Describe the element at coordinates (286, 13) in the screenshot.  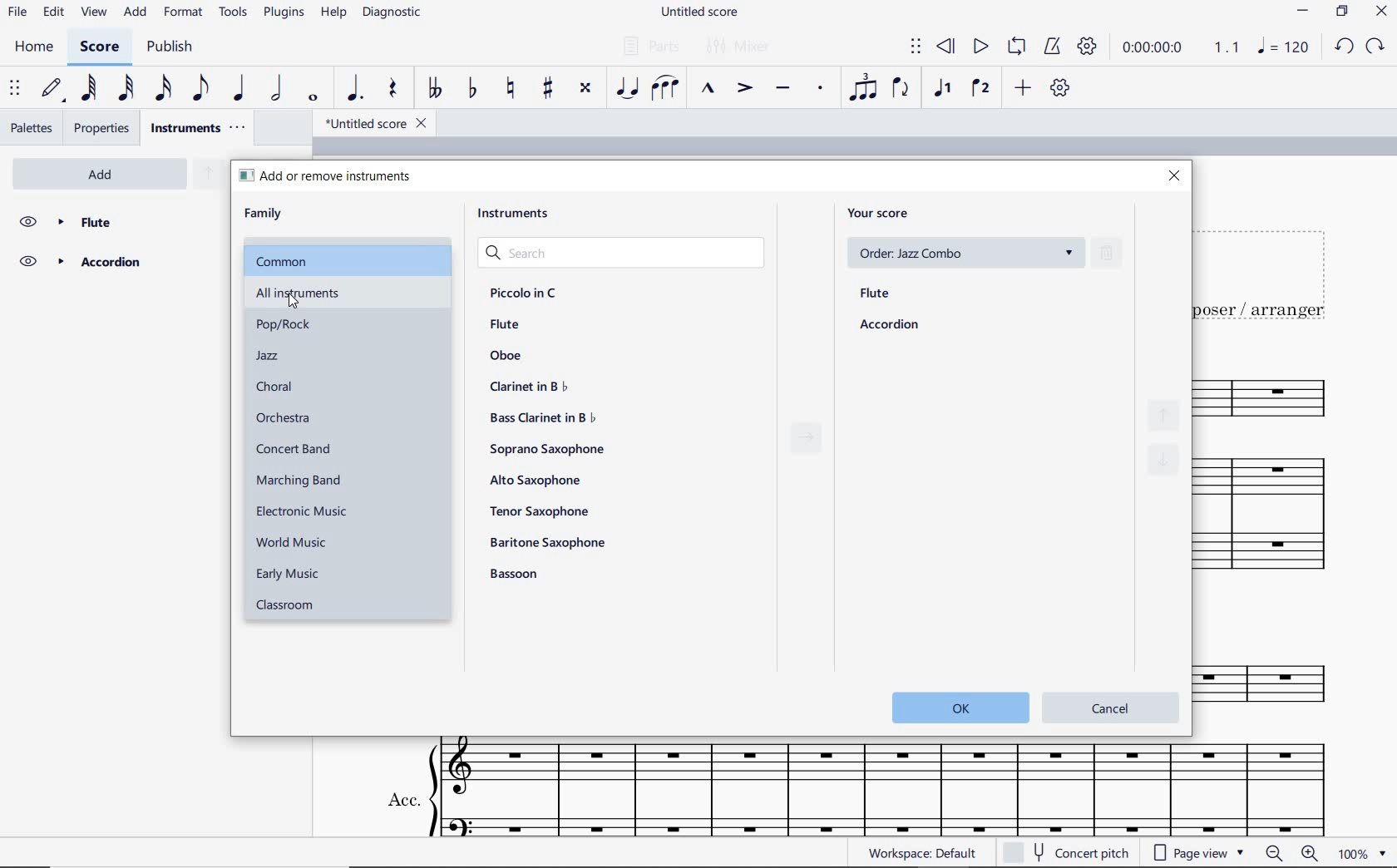
I see `PLUGINS` at that location.